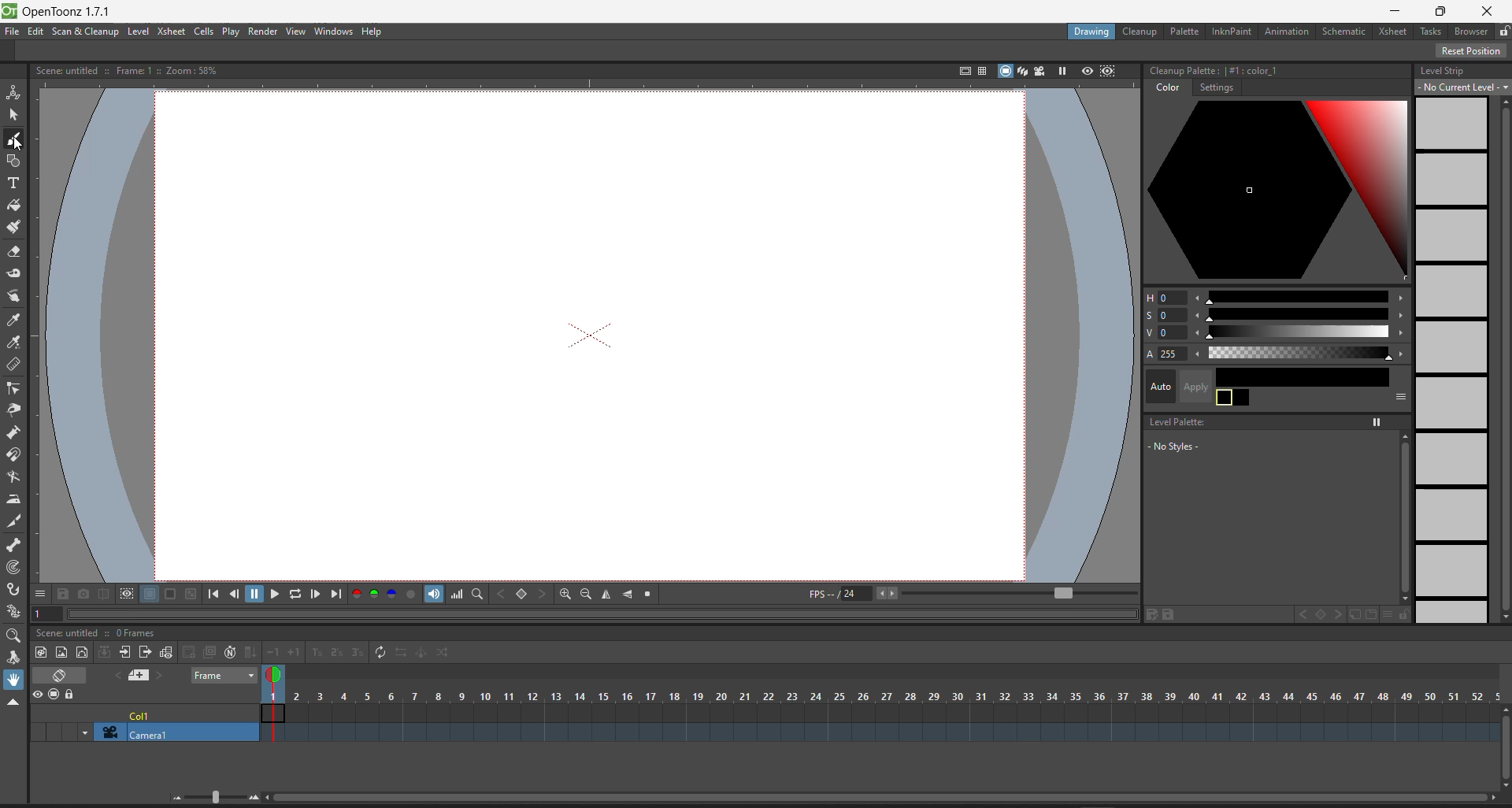 Image resolution: width=1512 pixels, height=808 pixels. What do you see at coordinates (1021, 69) in the screenshot?
I see `3d view` at bounding box center [1021, 69].